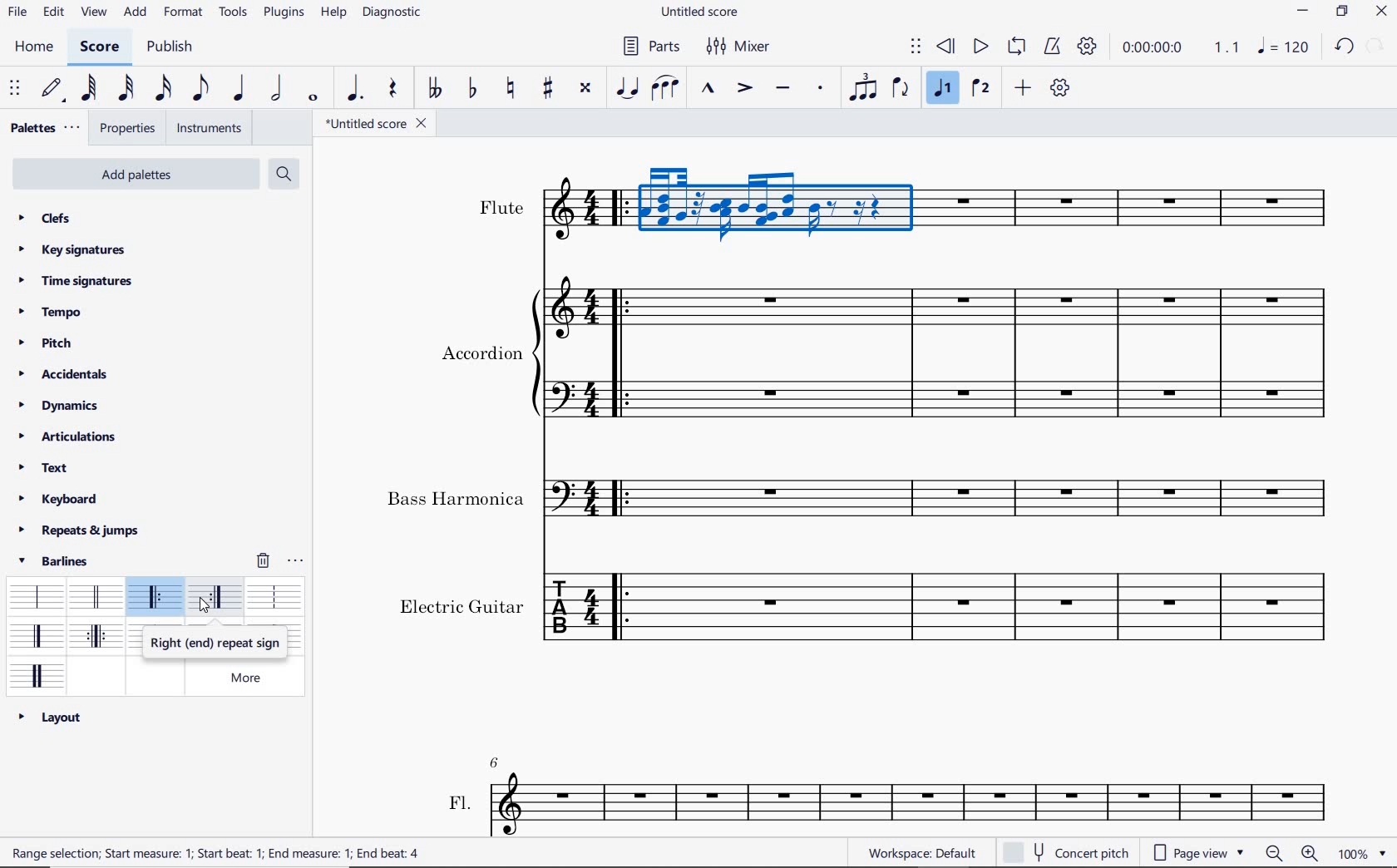 The width and height of the screenshot is (1397, 868). What do you see at coordinates (134, 175) in the screenshot?
I see `Add Palettes` at bounding box center [134, 175].